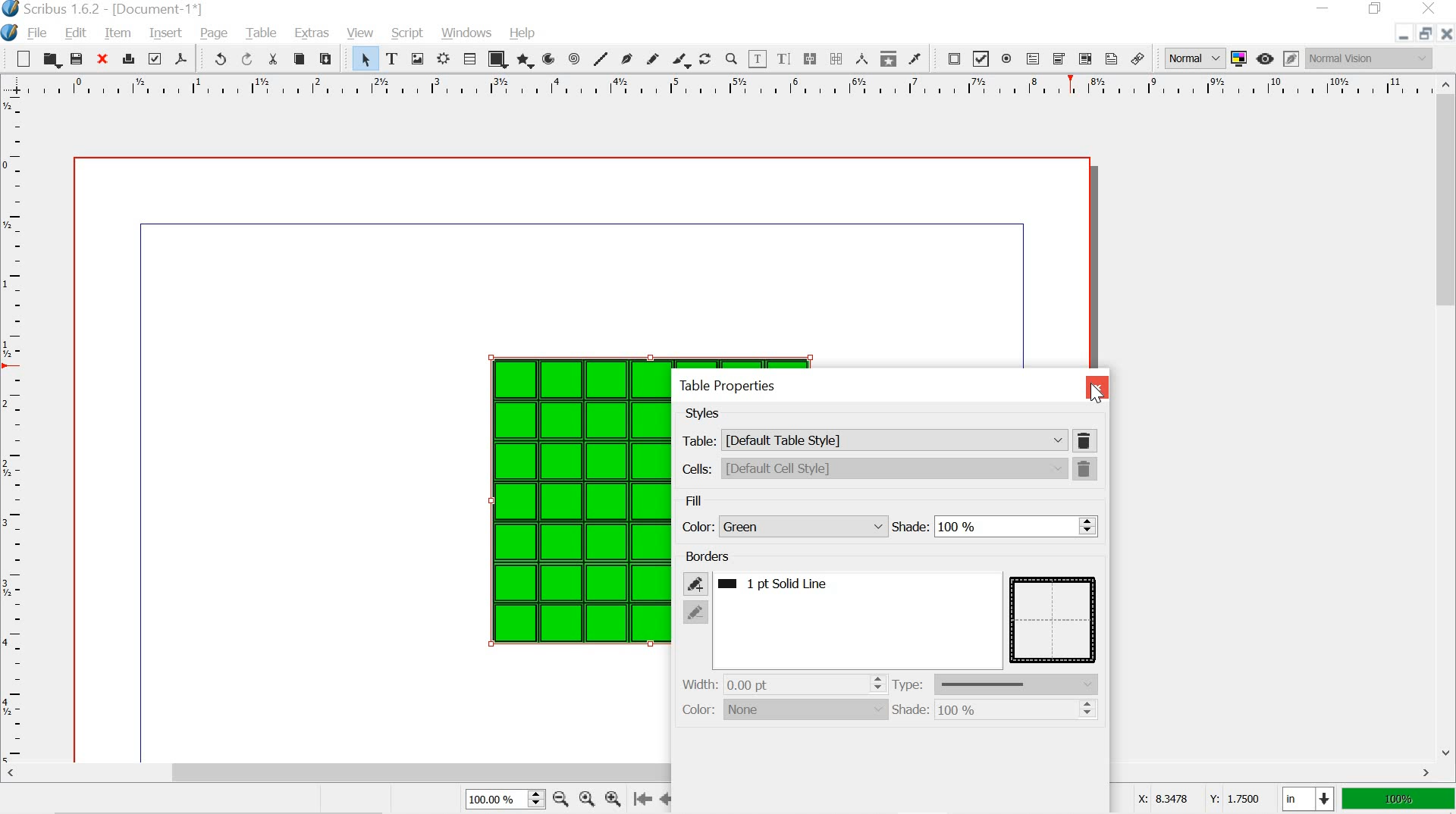  What do you see at coordinates (36, 34) in the screenshot?
I see `file` at bounding box center [36, 34].